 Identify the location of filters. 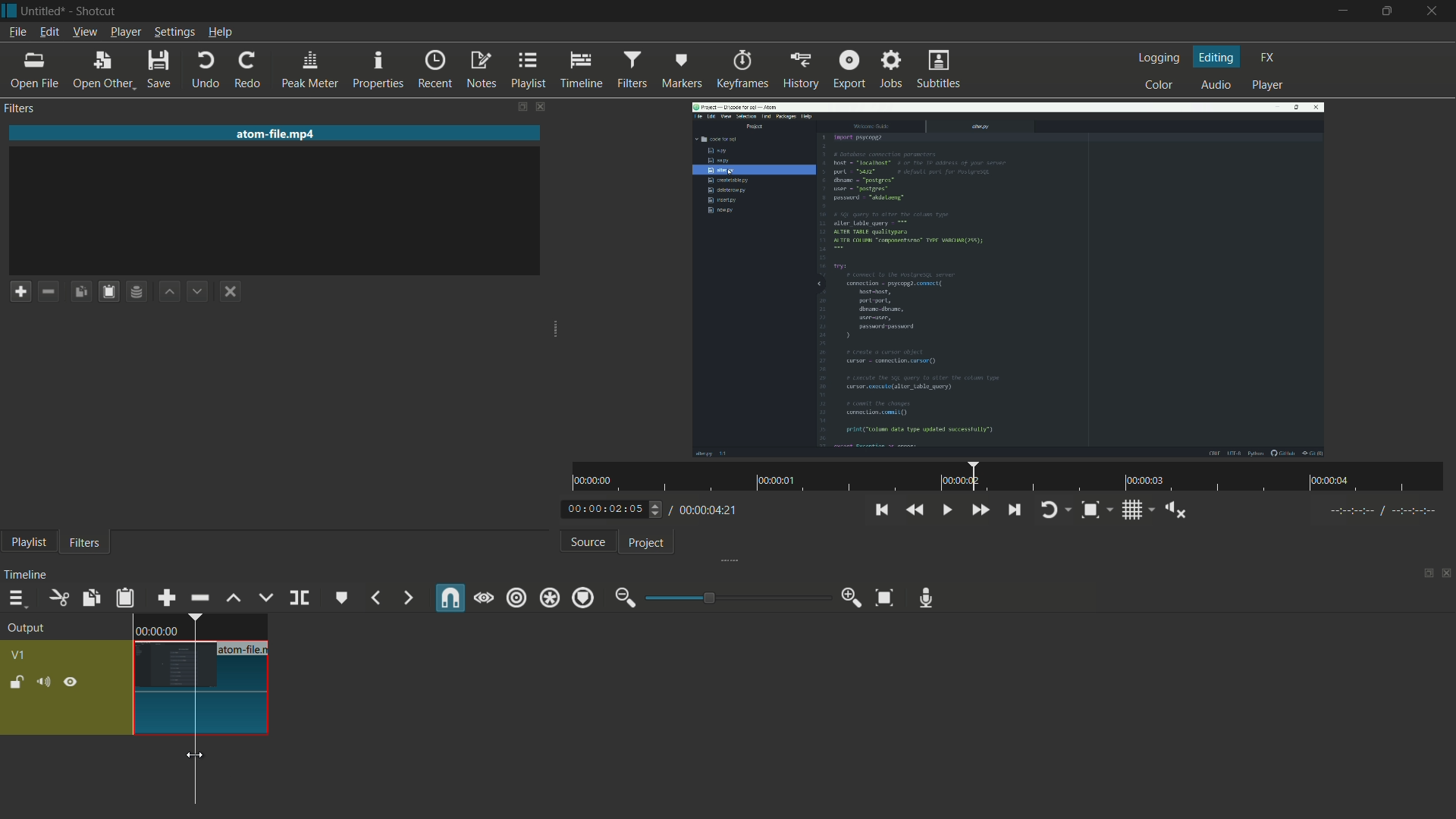
(631, 71).